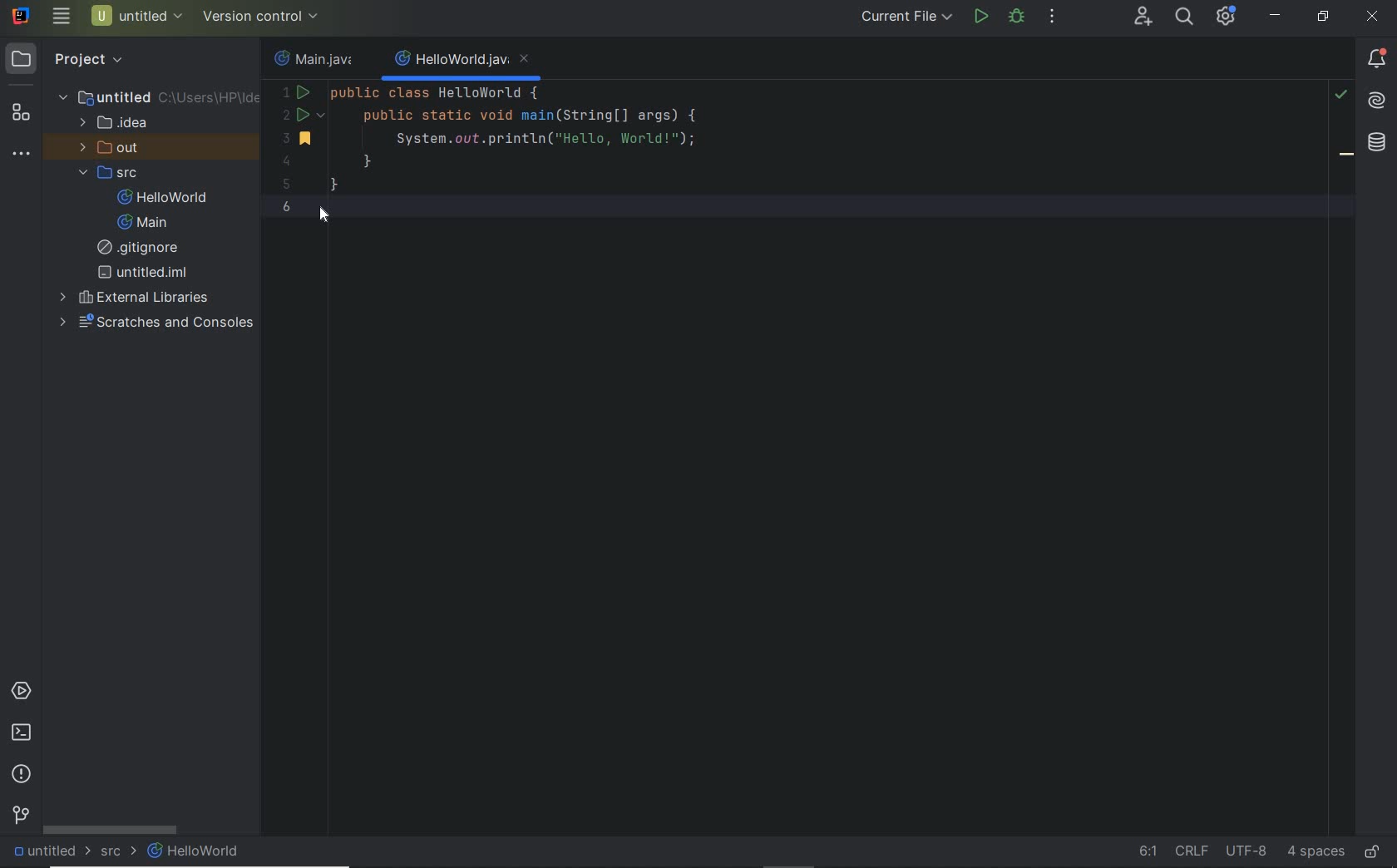 The height and width of the screenshot is (868, 1397). What do you see at coordinates (1191, 850) in the screenshot?
I see `line separator` at bounding box center [1191, 850].